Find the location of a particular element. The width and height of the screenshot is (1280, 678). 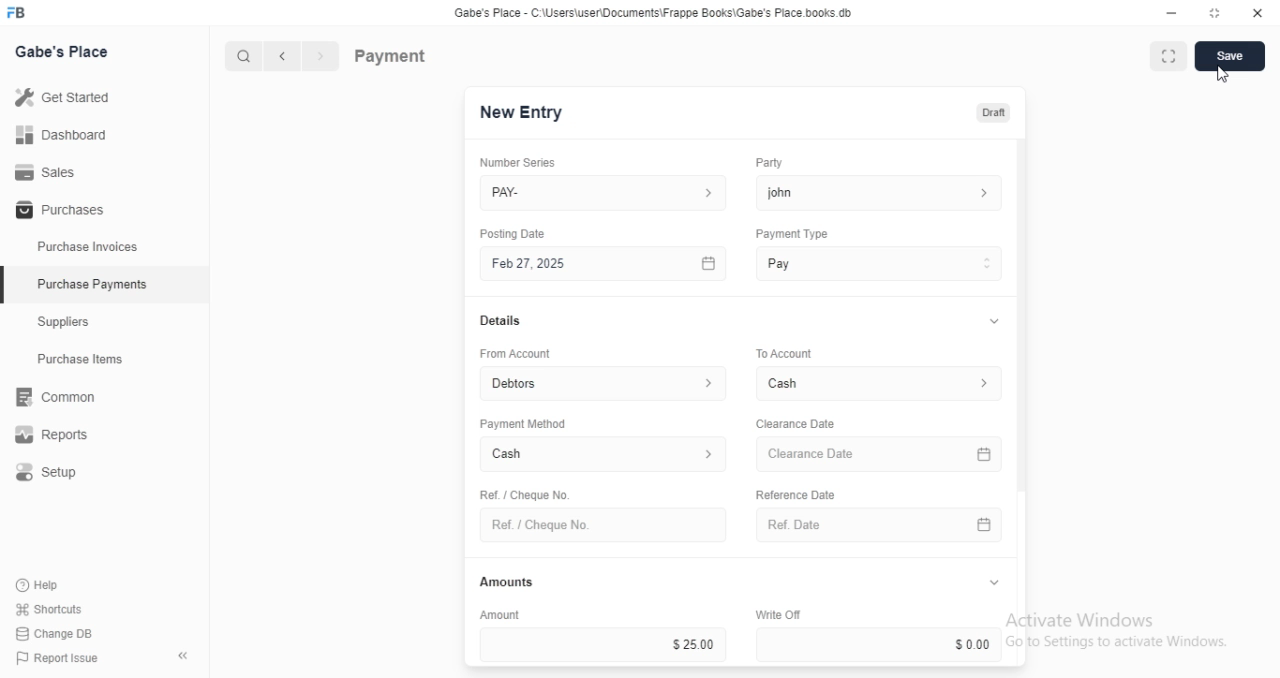

Sales is located at coordinates (45, 171).